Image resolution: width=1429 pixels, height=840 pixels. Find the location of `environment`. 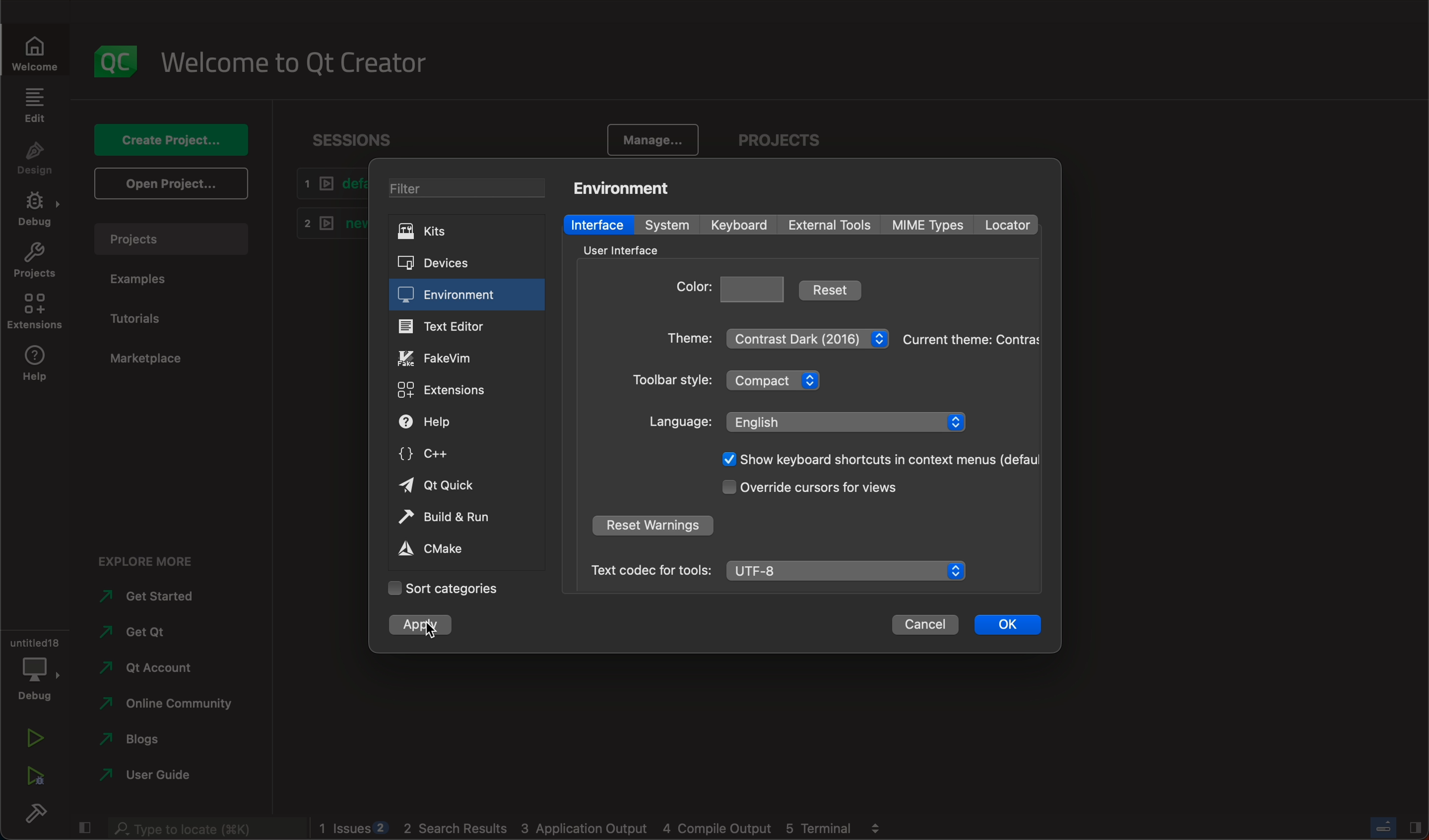

environment is located at coordinates (453, 296).